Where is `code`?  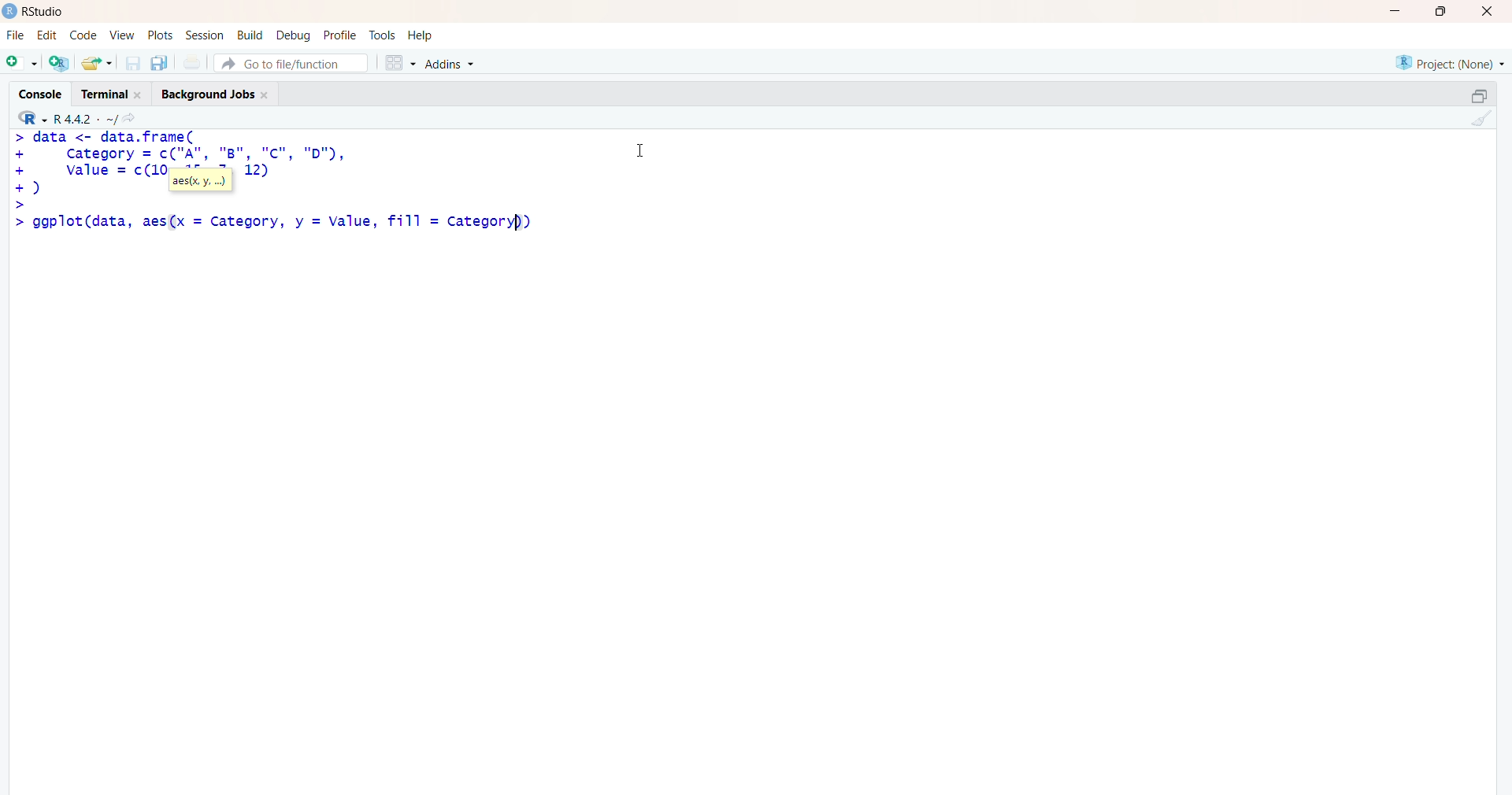 code is located at coordinates (83, 35).